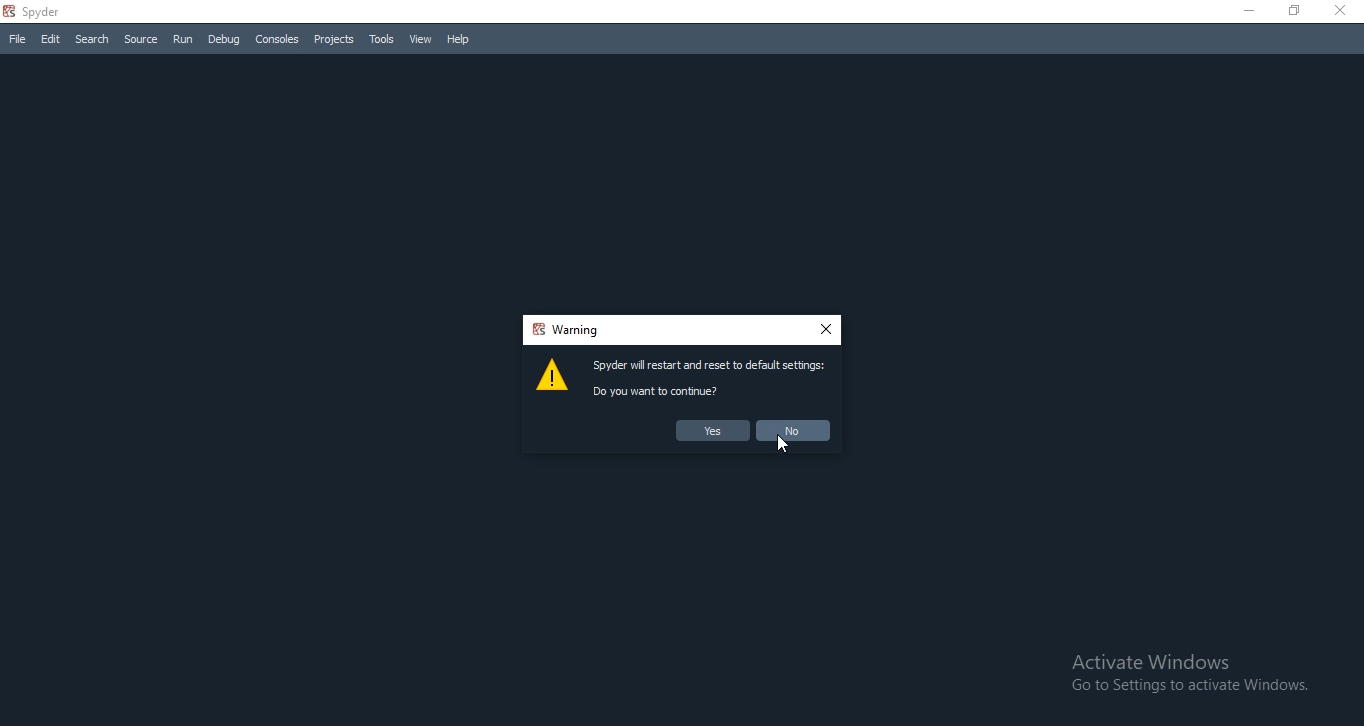  I want to click on Run, so click(182, 40).